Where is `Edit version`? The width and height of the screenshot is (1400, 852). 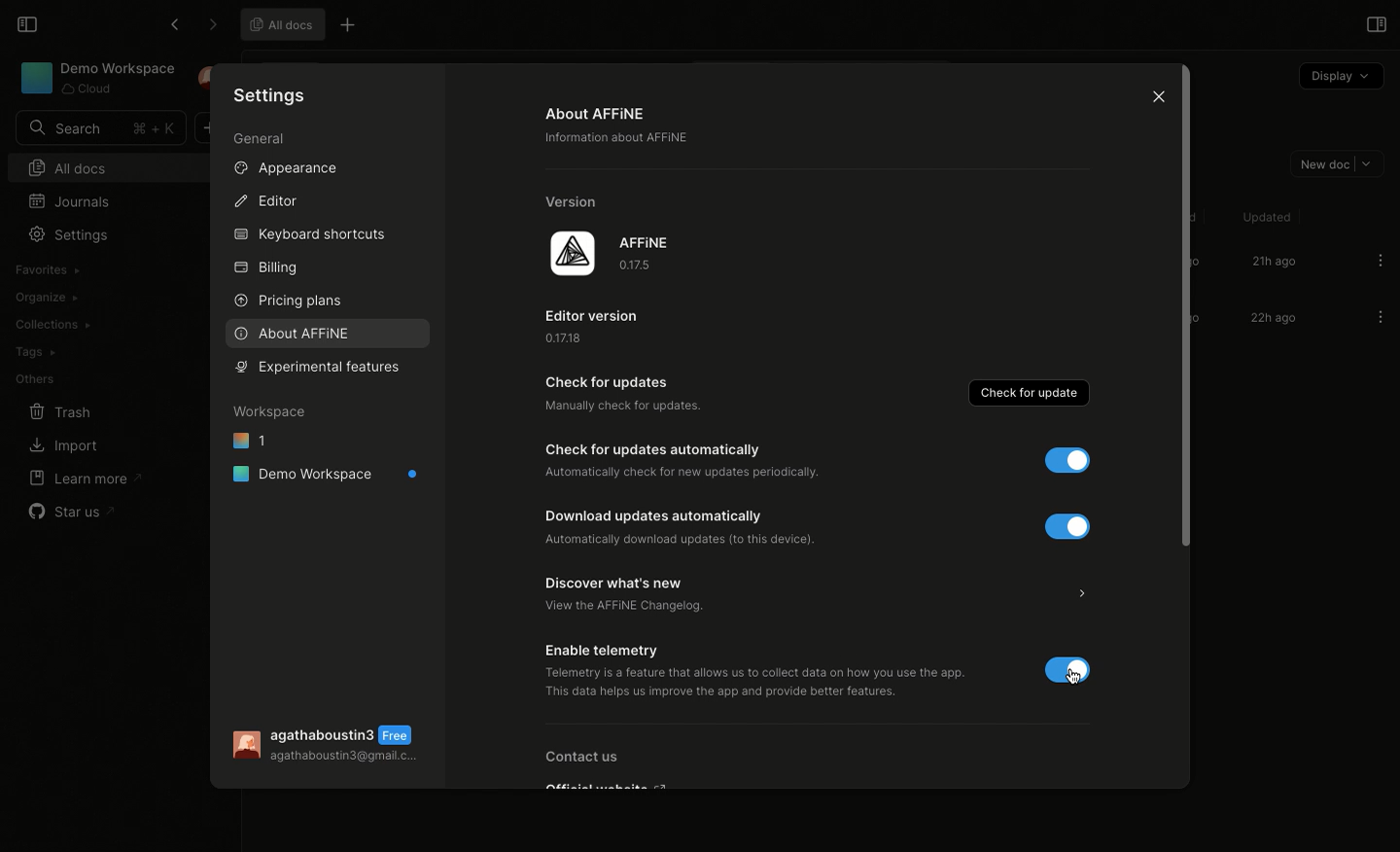 Edit version is located at coordinates (601, 325).